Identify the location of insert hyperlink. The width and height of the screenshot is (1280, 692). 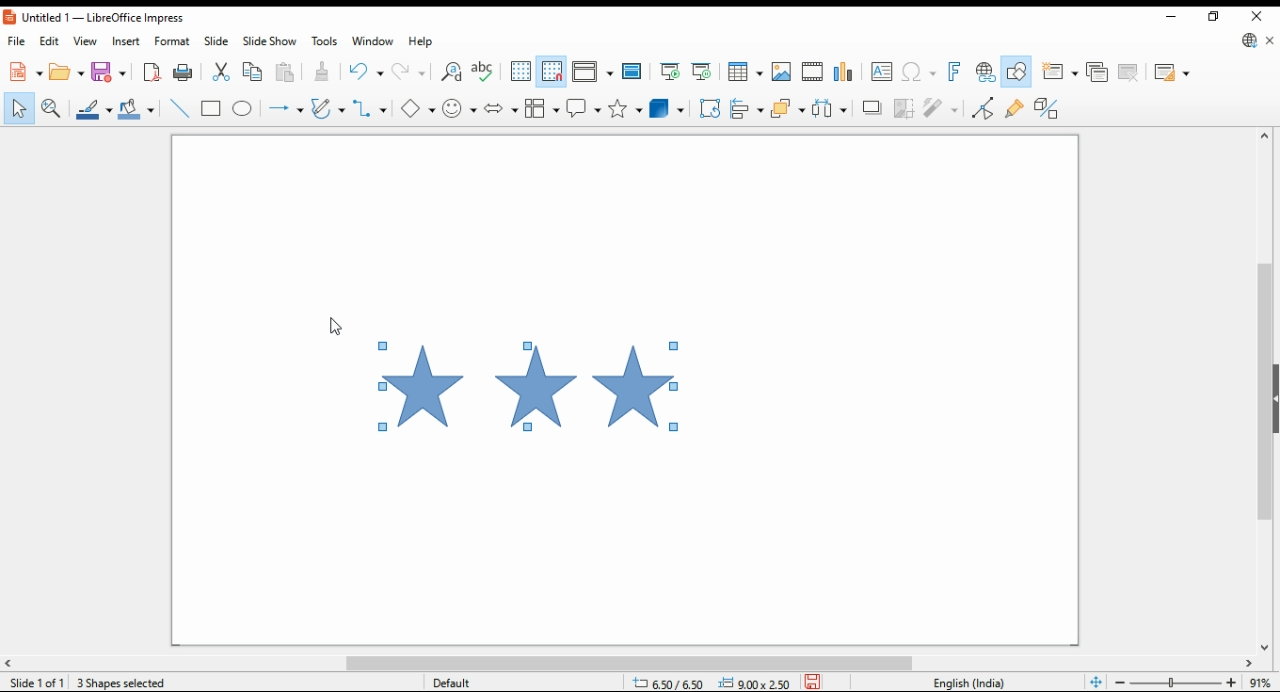
(984, 71).